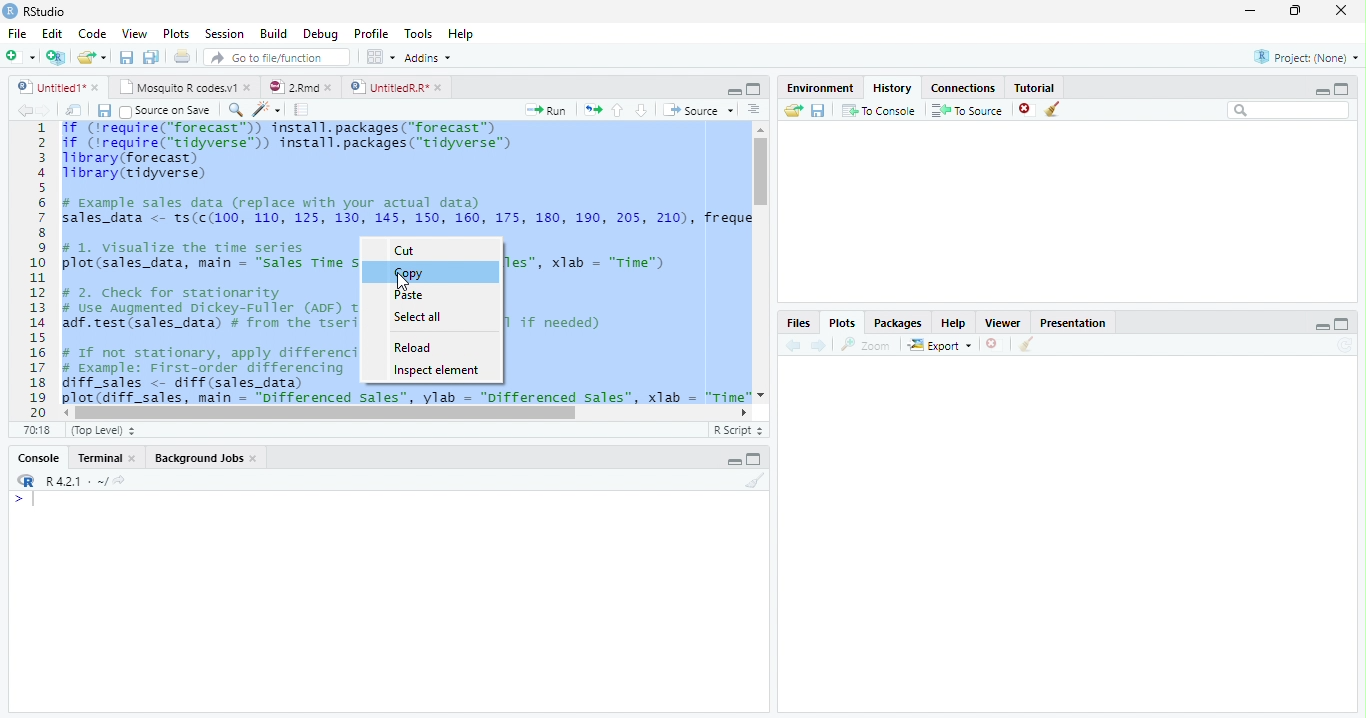 The width and height of the screenshot is (1366, 718). I want to click on Create a project, so click(57, 59).